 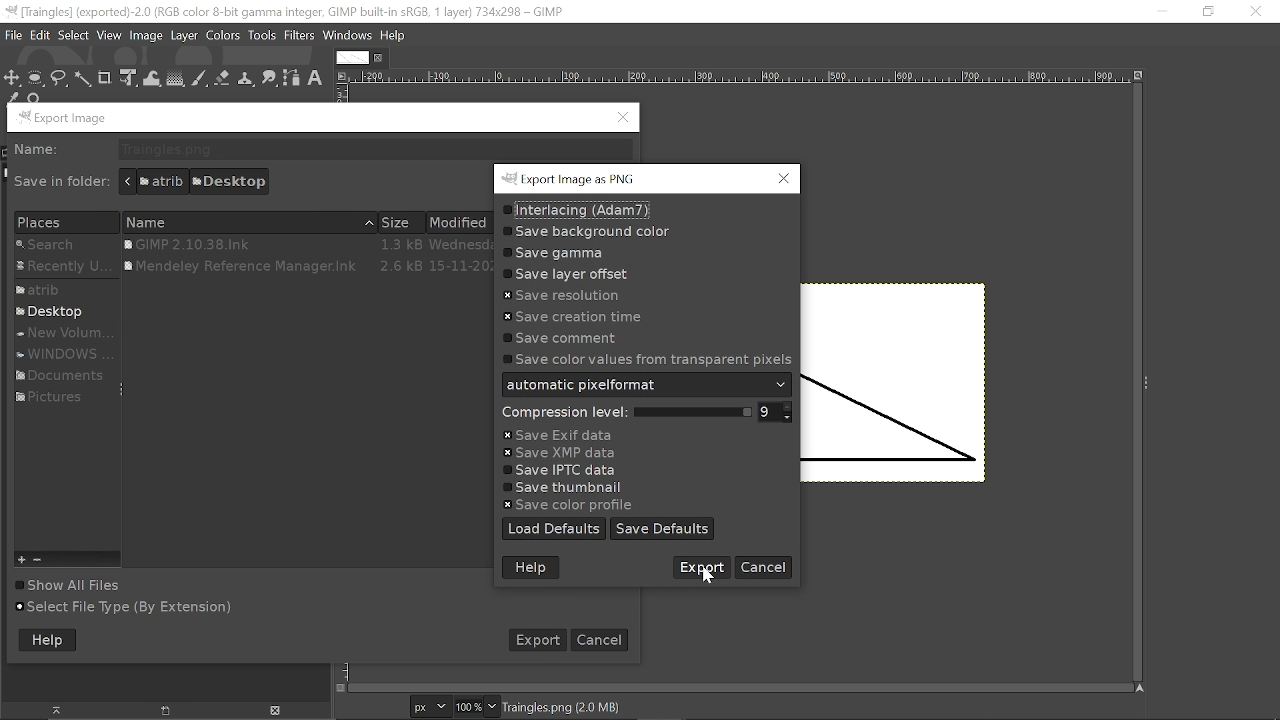 What do you see at coordinates (306, 267) in the screenshot?
I see `Mendeley Reference Manager.Ink` at bounding box center [306, 267].